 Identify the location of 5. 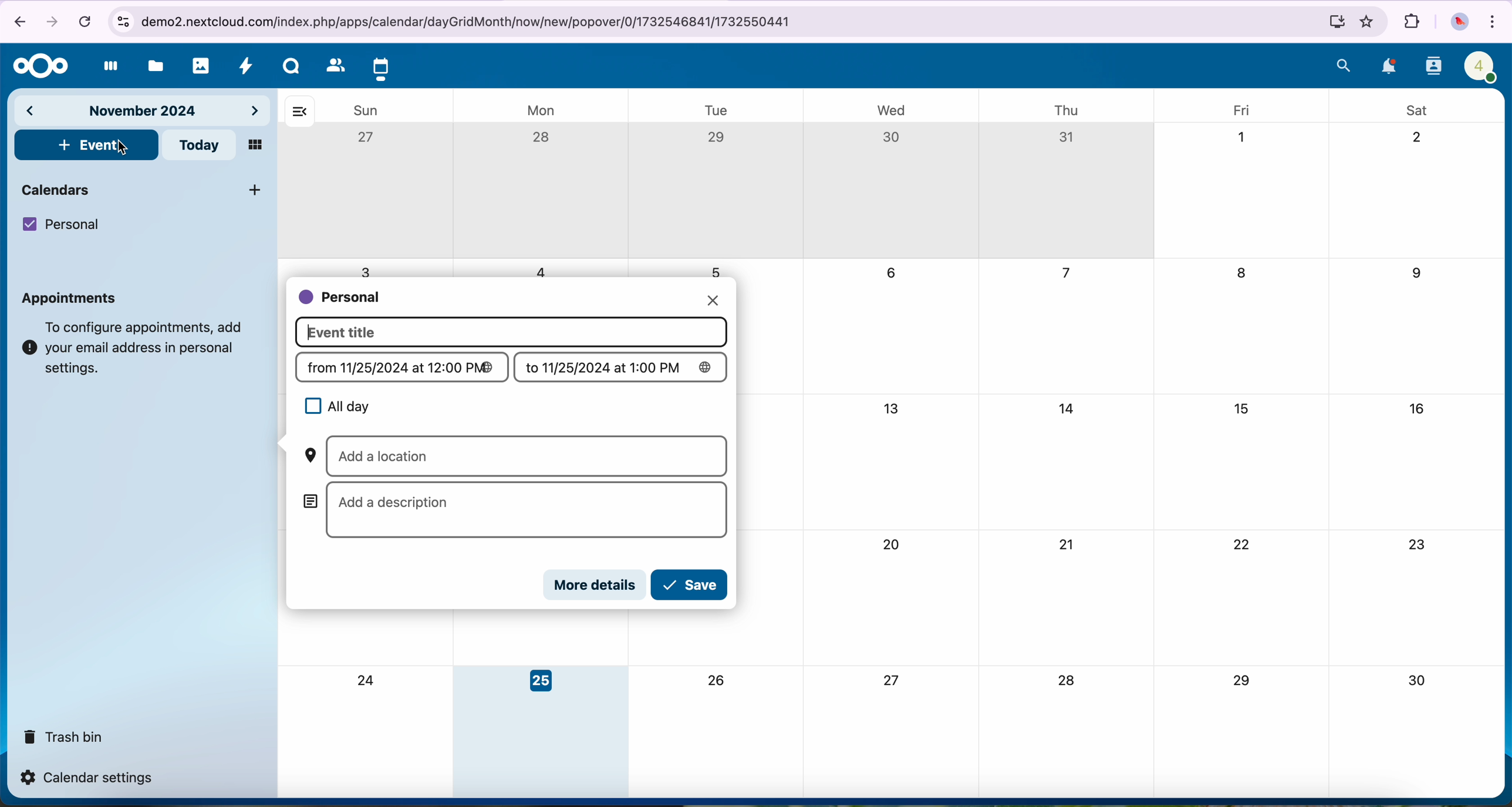
(718, 271).